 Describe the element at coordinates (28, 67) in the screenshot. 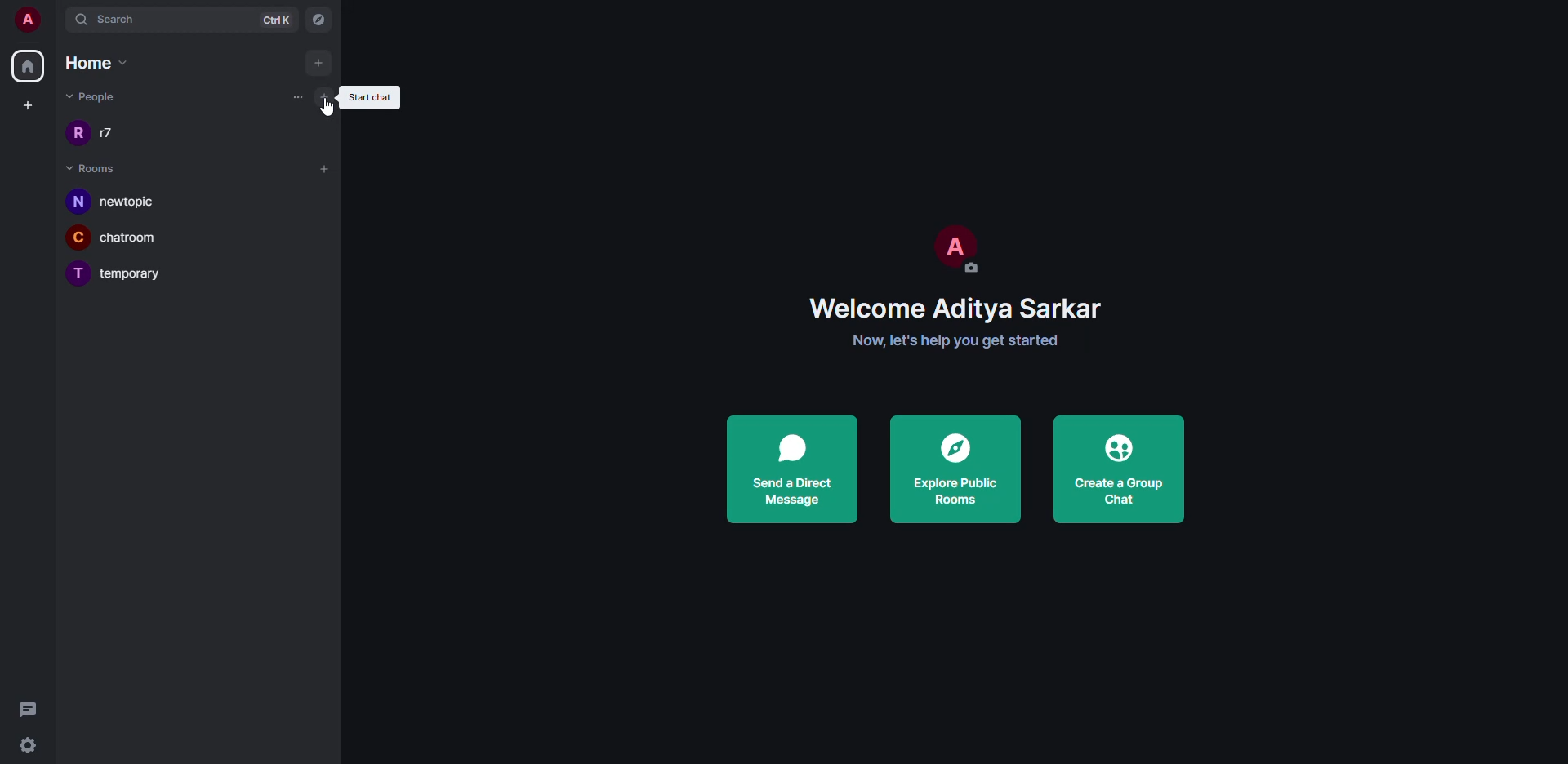

I see `home` at that location.